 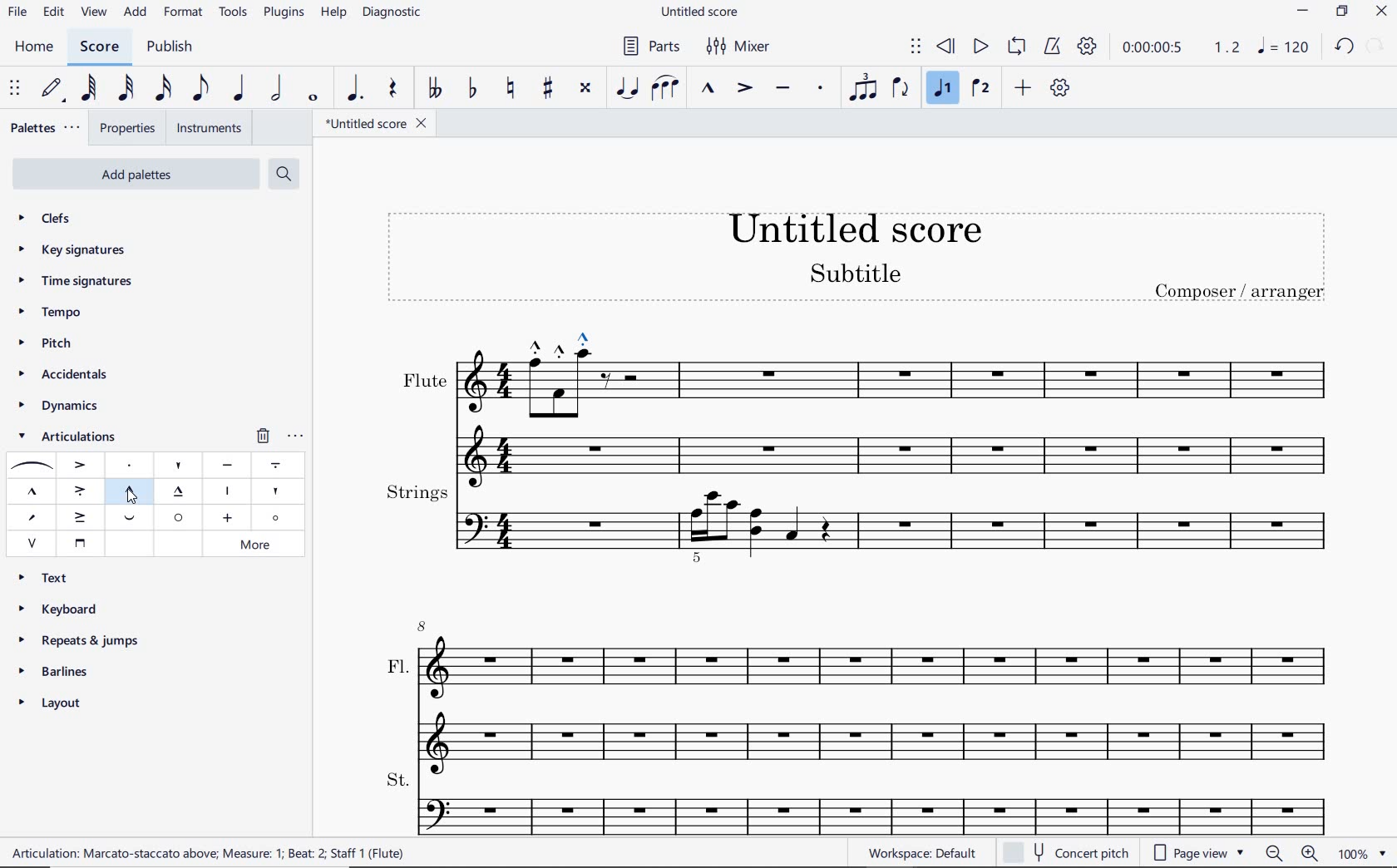 What do you see at coordinates (1197, 853) in the screenshot?
I see `page view` at bounding box center [1197, 853].